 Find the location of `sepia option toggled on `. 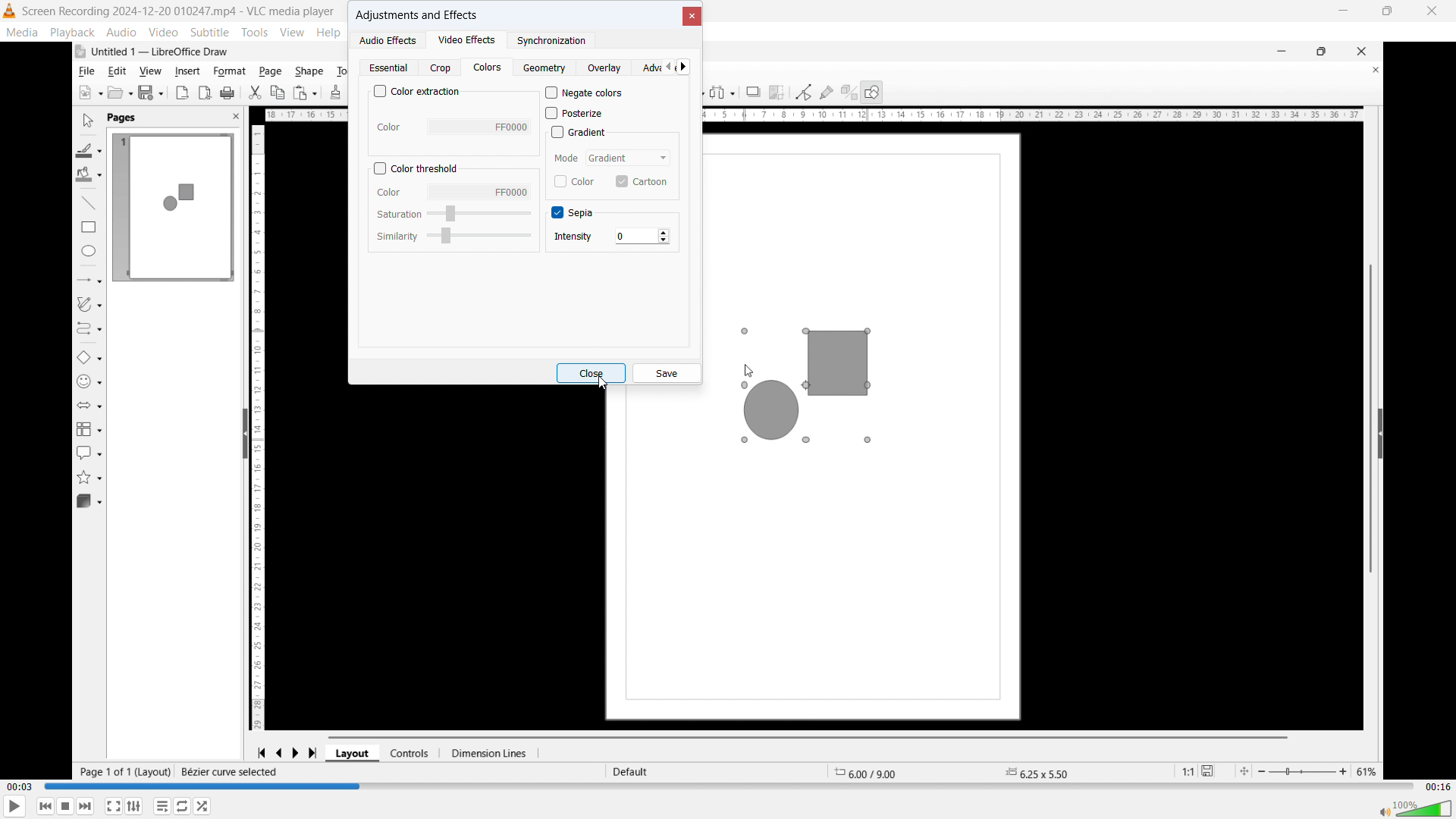

sepia option toggled on  is located at coordinates (573, 213).